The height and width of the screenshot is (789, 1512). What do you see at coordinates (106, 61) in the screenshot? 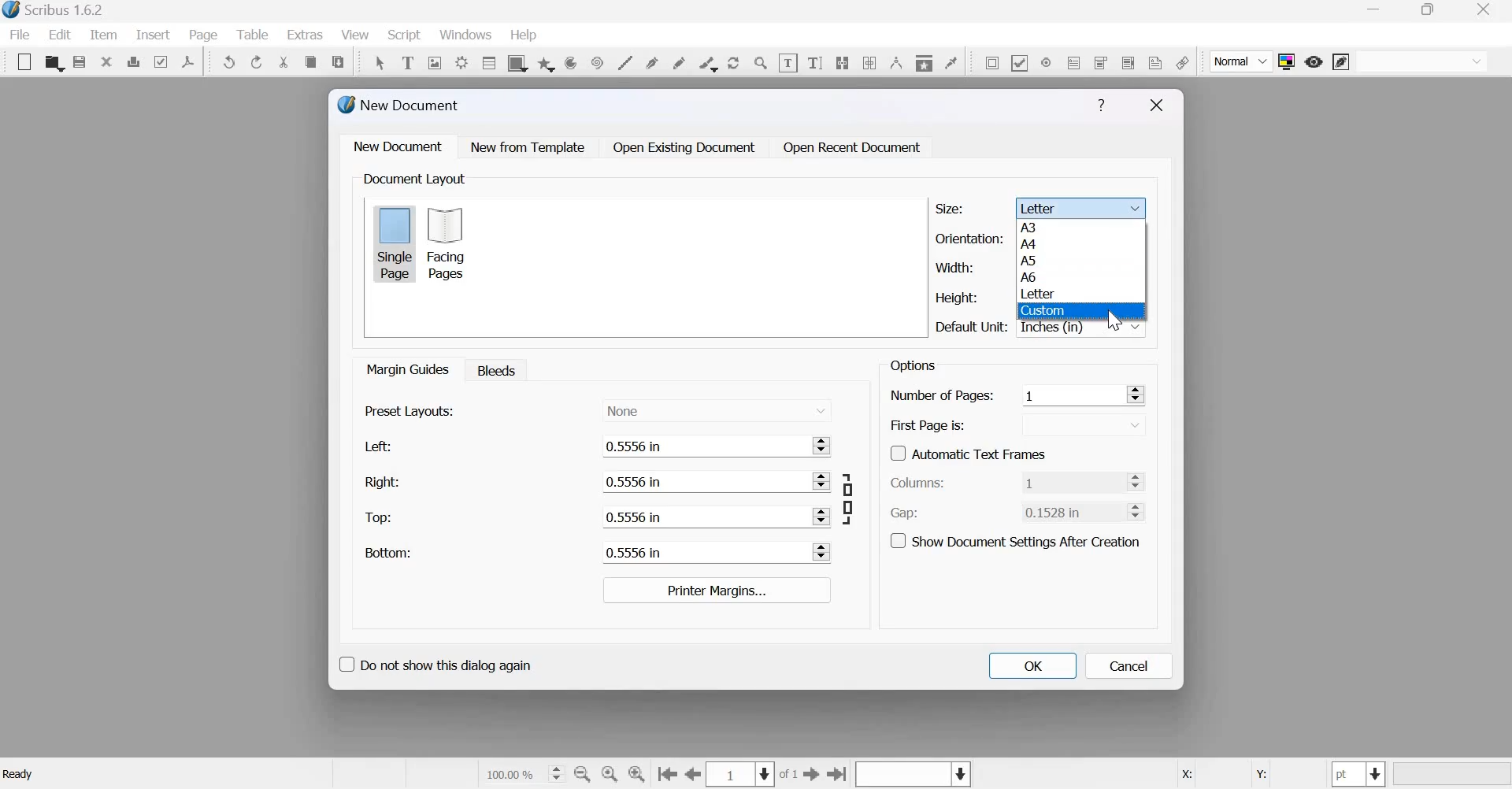
I see `close` at bounding box center [106, 61].